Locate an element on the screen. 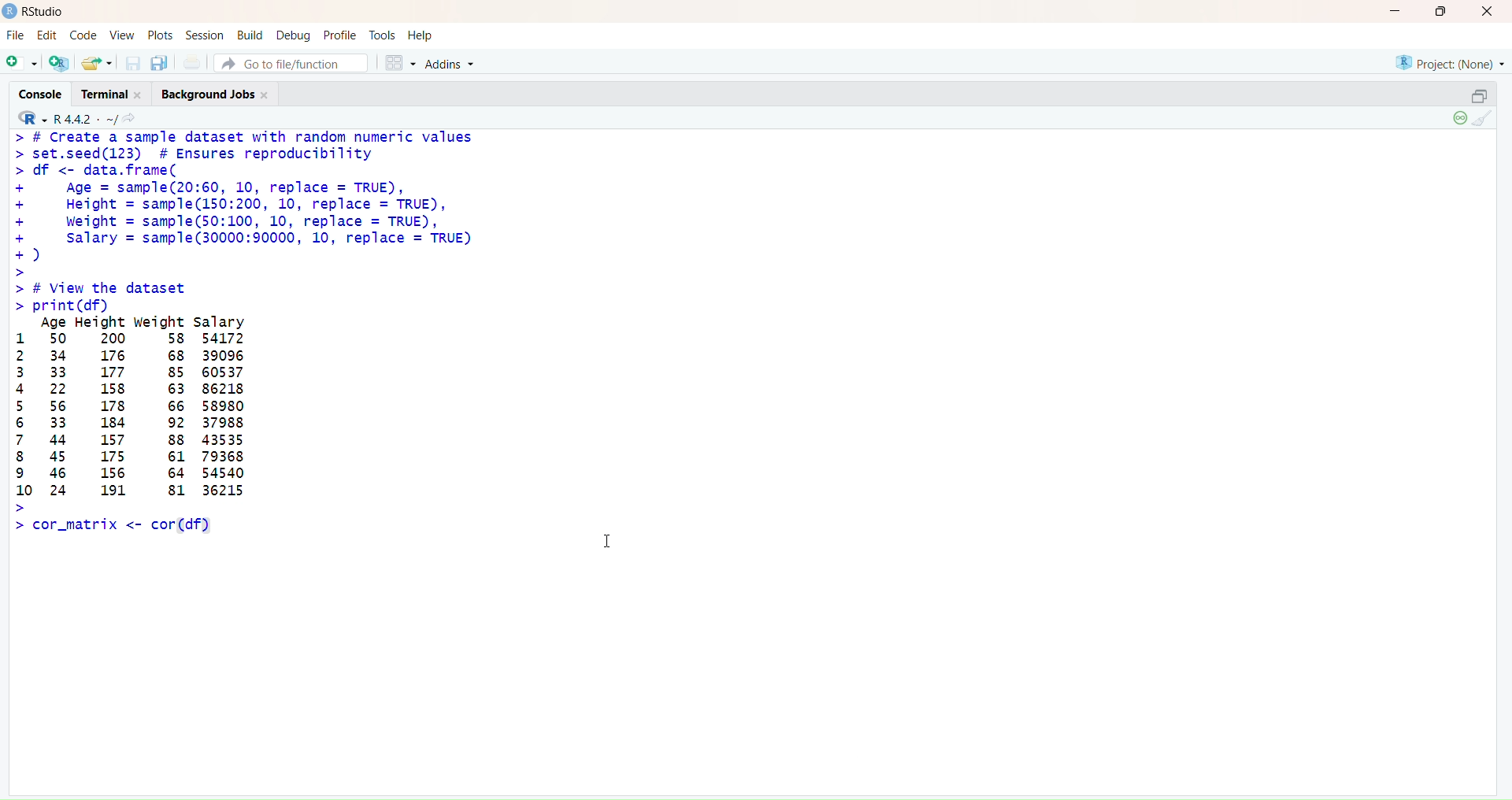  Profile is located at coordinates (341, 35).